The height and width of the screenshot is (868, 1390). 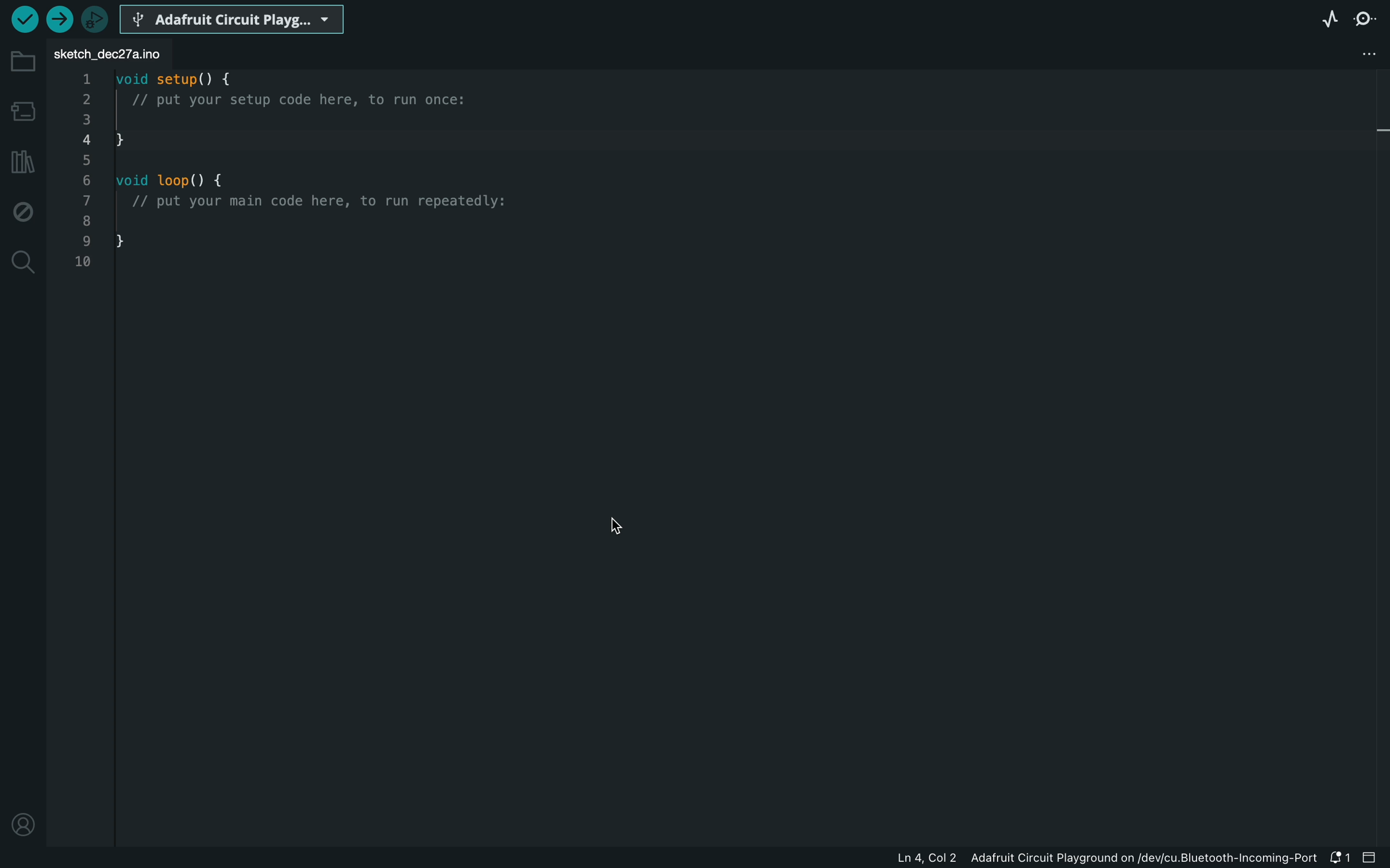 I want to click on verify, so click(x=25, y=21).